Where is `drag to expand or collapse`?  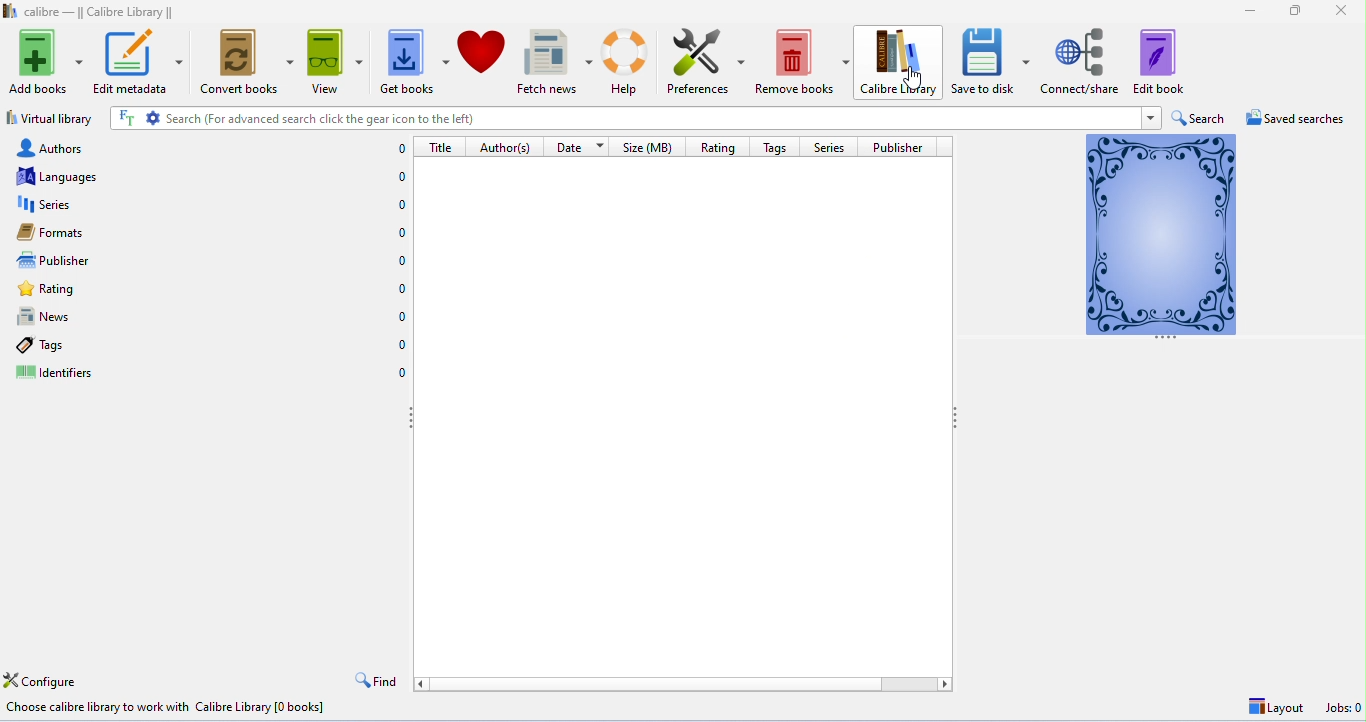 drag to expand or collapse is located at coordinates (958, 418).